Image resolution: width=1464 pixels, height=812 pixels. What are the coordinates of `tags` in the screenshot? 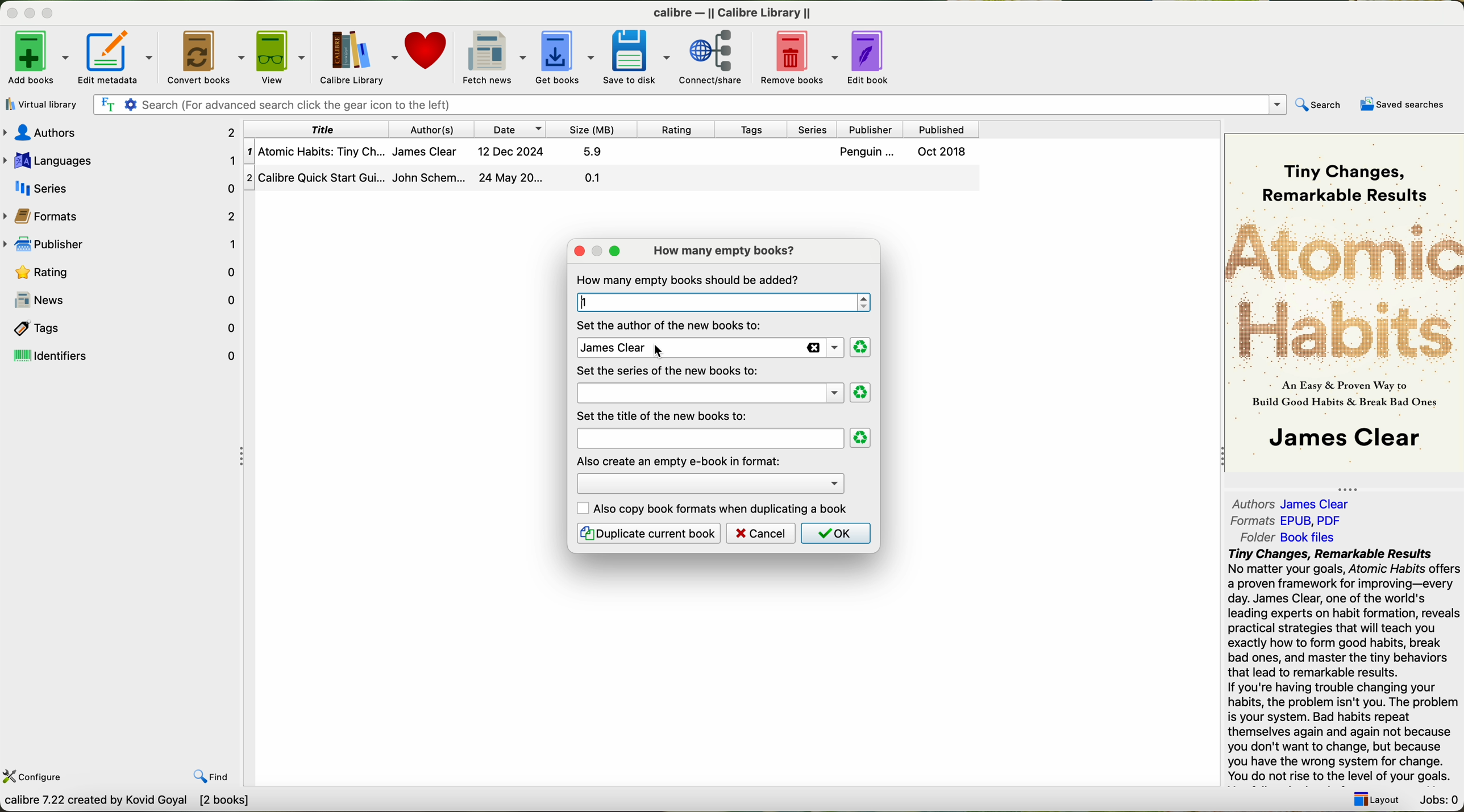 It's located at (121, 327).